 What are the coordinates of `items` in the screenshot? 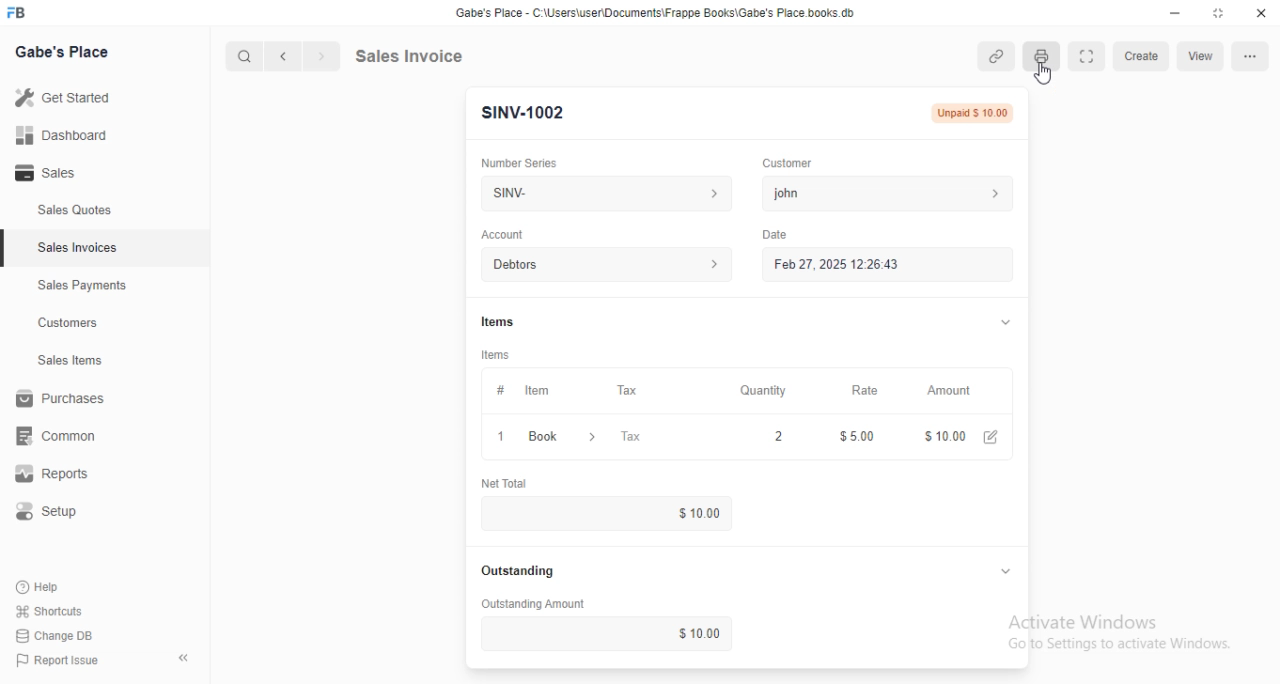 It's located at (496, 354).